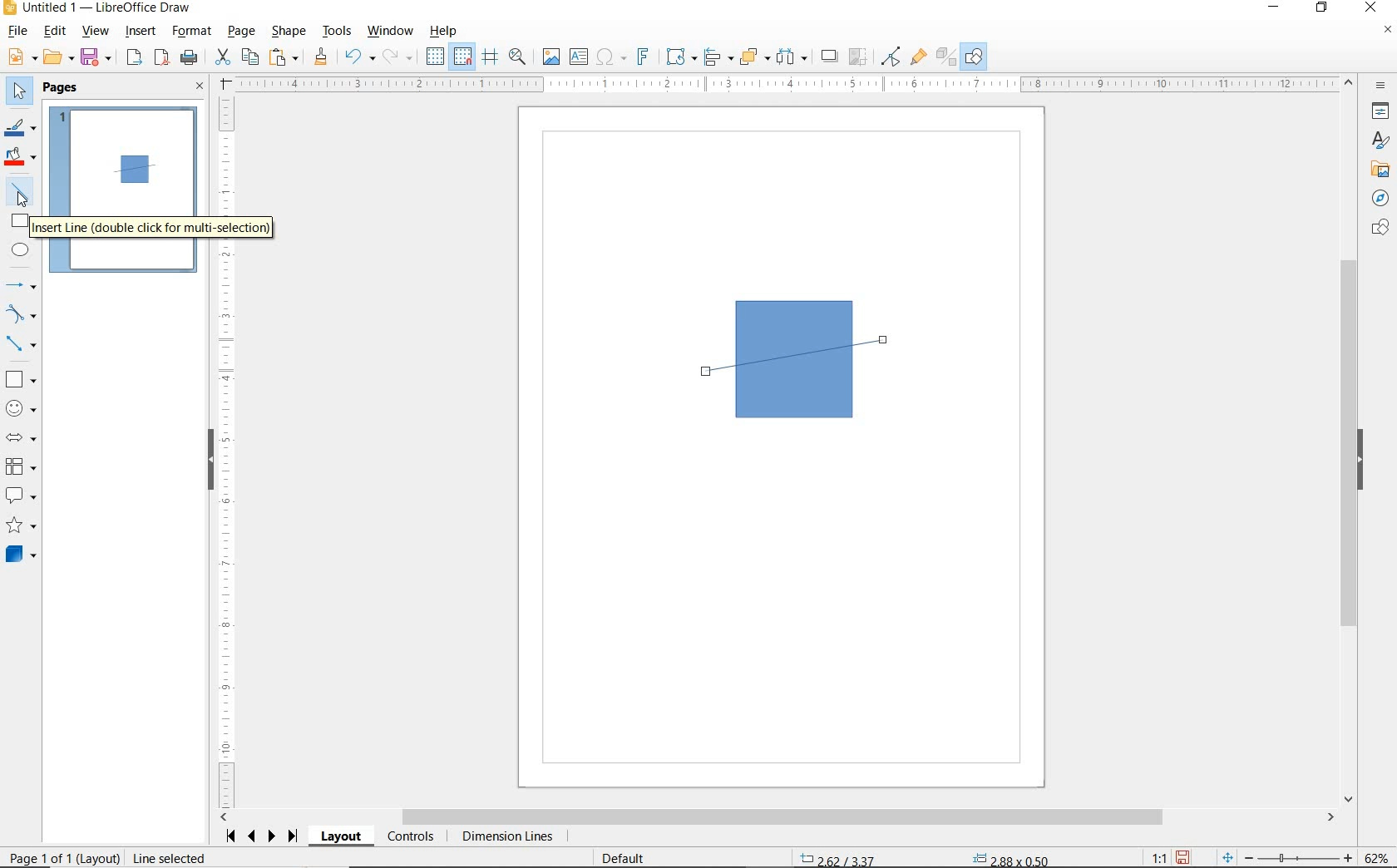  What do you see at coordinates (190, 60) in the screenshot?
I see `PRINT` at bounding box center [190, 60].